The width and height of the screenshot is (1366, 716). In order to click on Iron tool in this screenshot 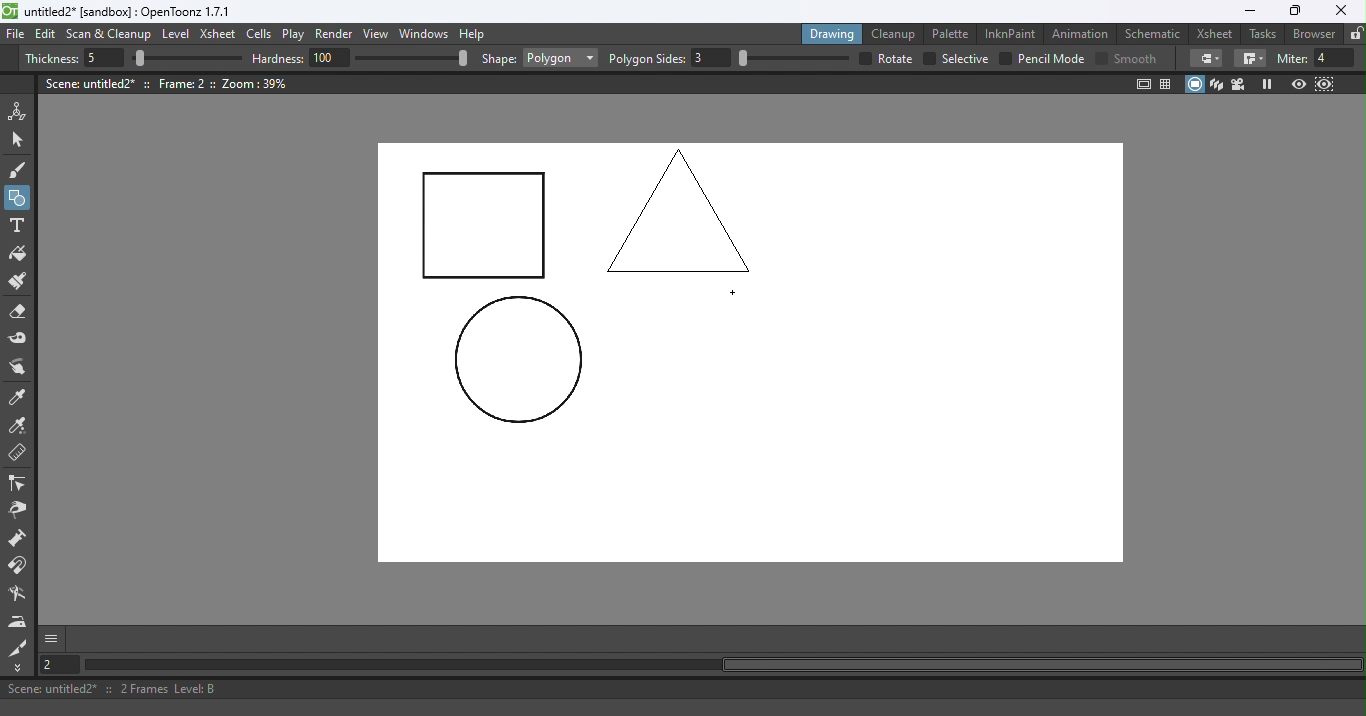, I will do `click(20, 621)`.